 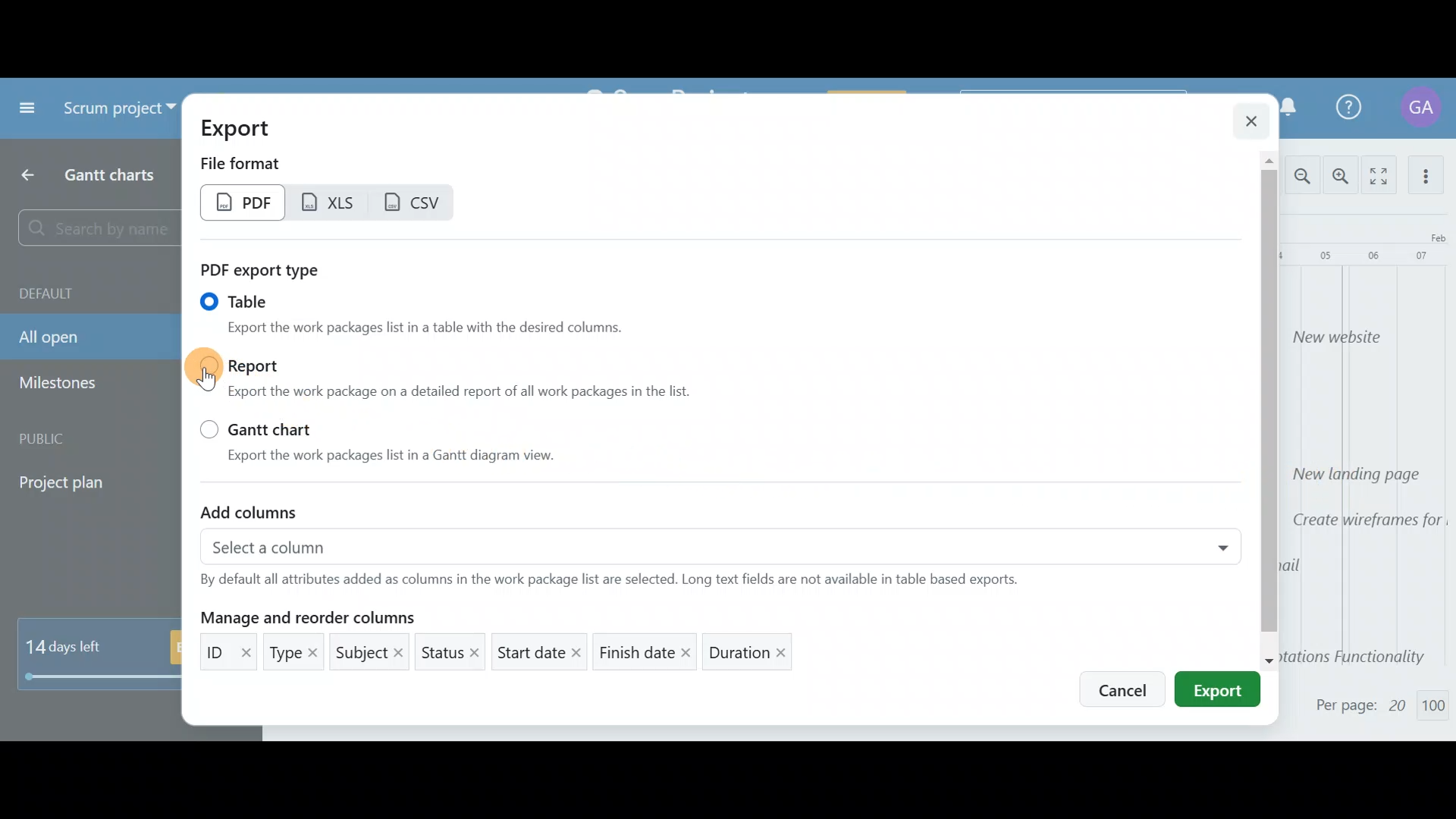 What do you see at coordinates (229, 654) in the screenshot?
I see `ID` at bounding box center [229, 654].